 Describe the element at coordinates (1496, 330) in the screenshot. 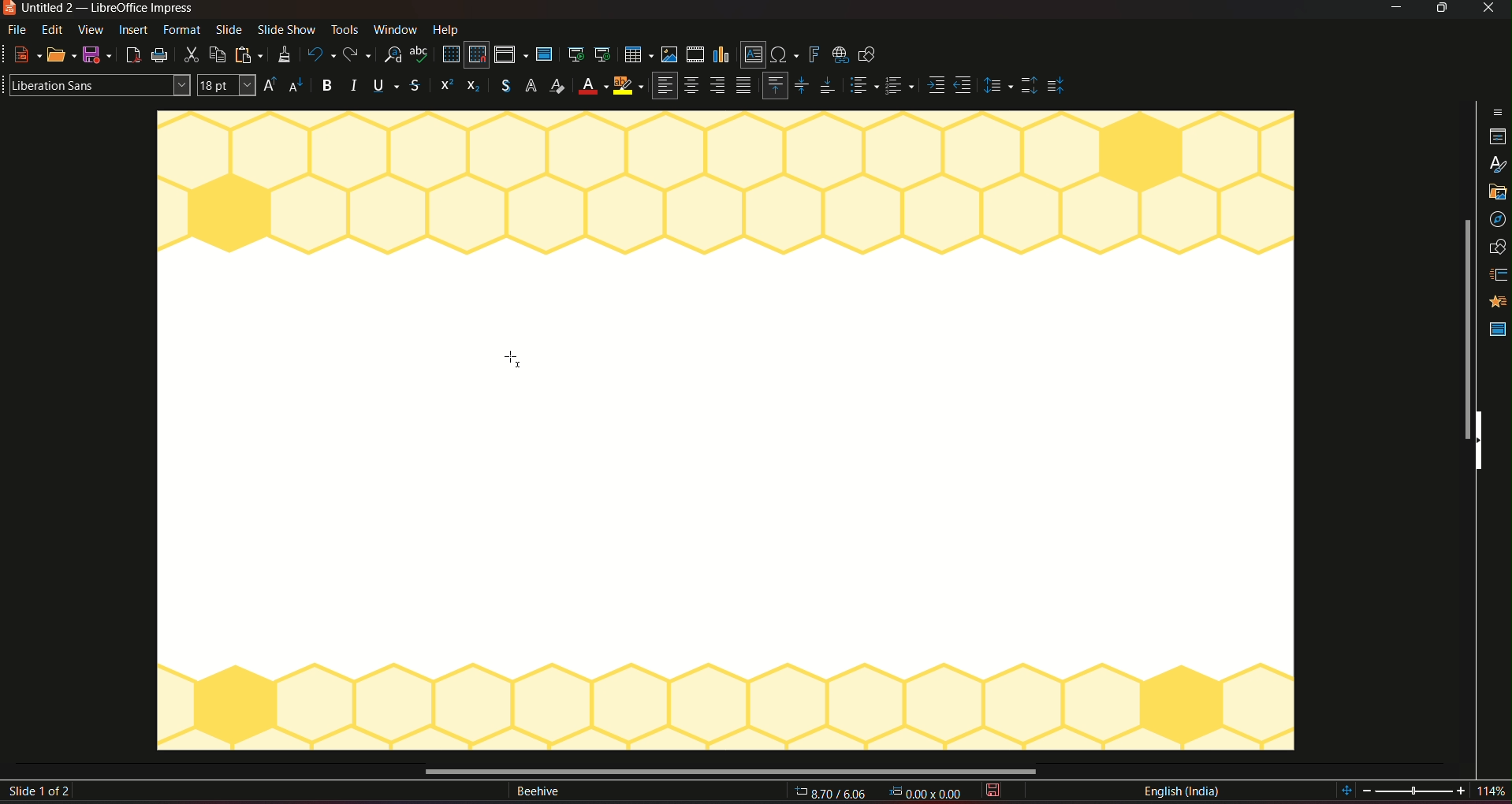

I see `Master slide` at that location.